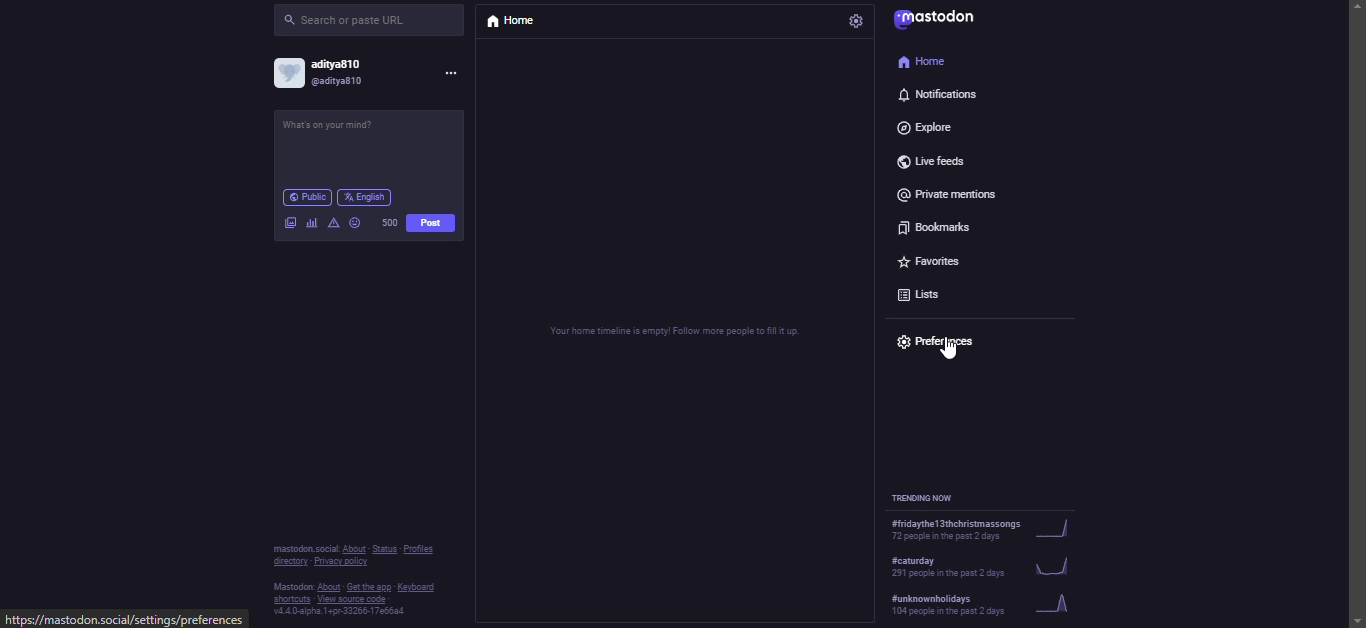 This screenshot has height=628, width=1366. I want to click on post, so click(433, 223).